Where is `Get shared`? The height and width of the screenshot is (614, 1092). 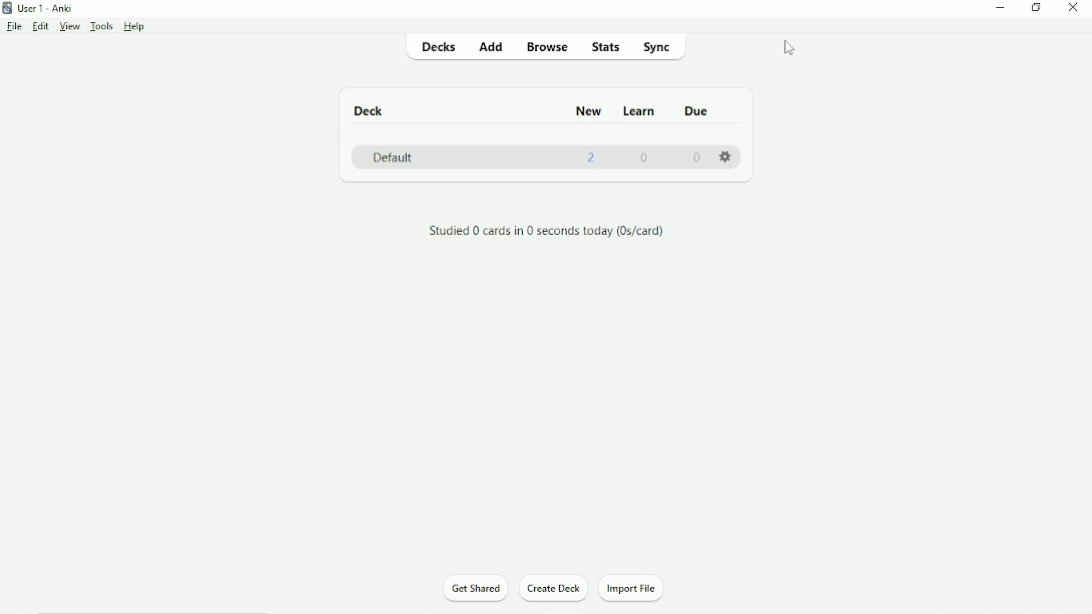
Get shared is located at coordinates (473, 589).